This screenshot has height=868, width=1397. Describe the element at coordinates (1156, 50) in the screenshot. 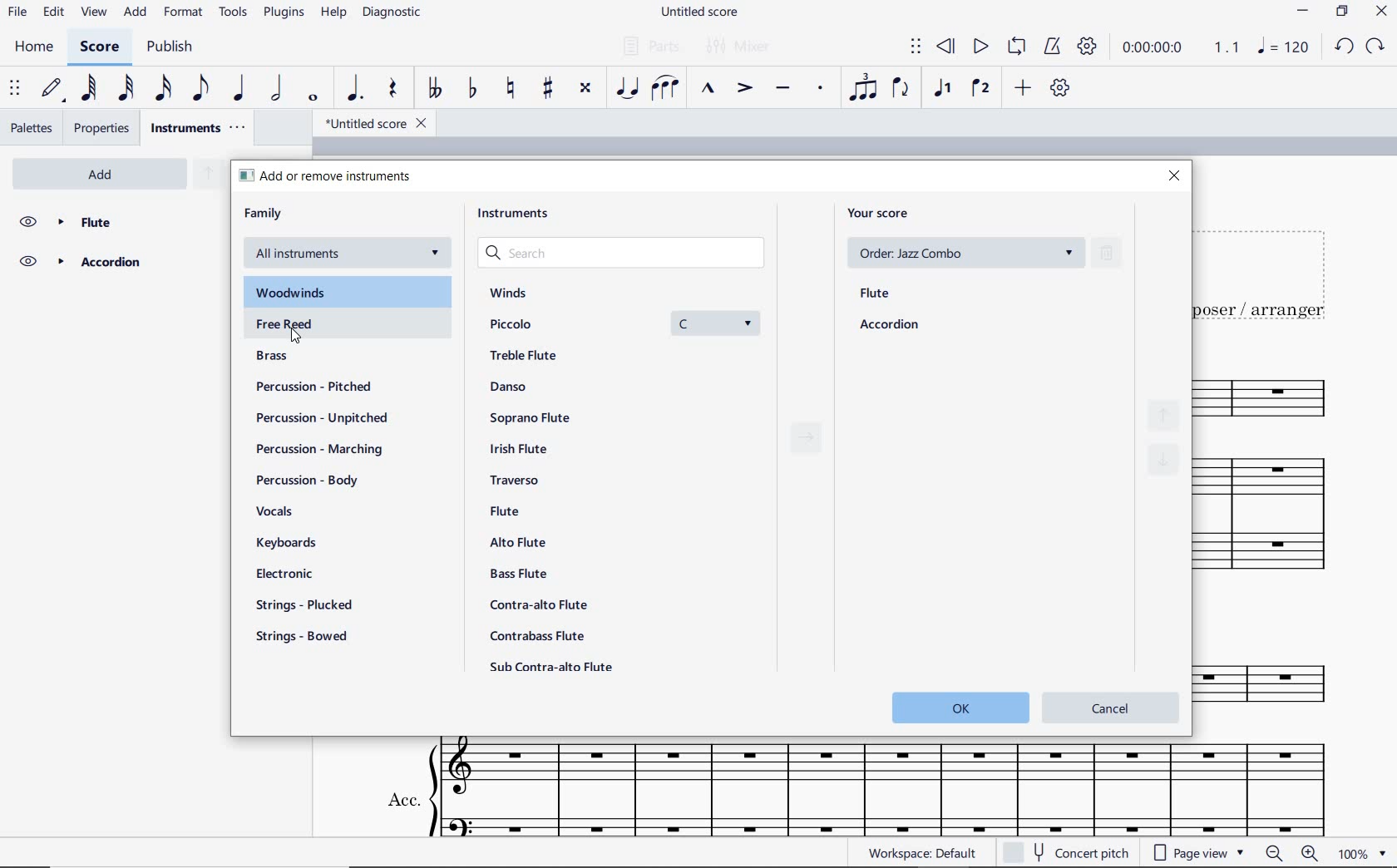

I see `playback time` at that location.